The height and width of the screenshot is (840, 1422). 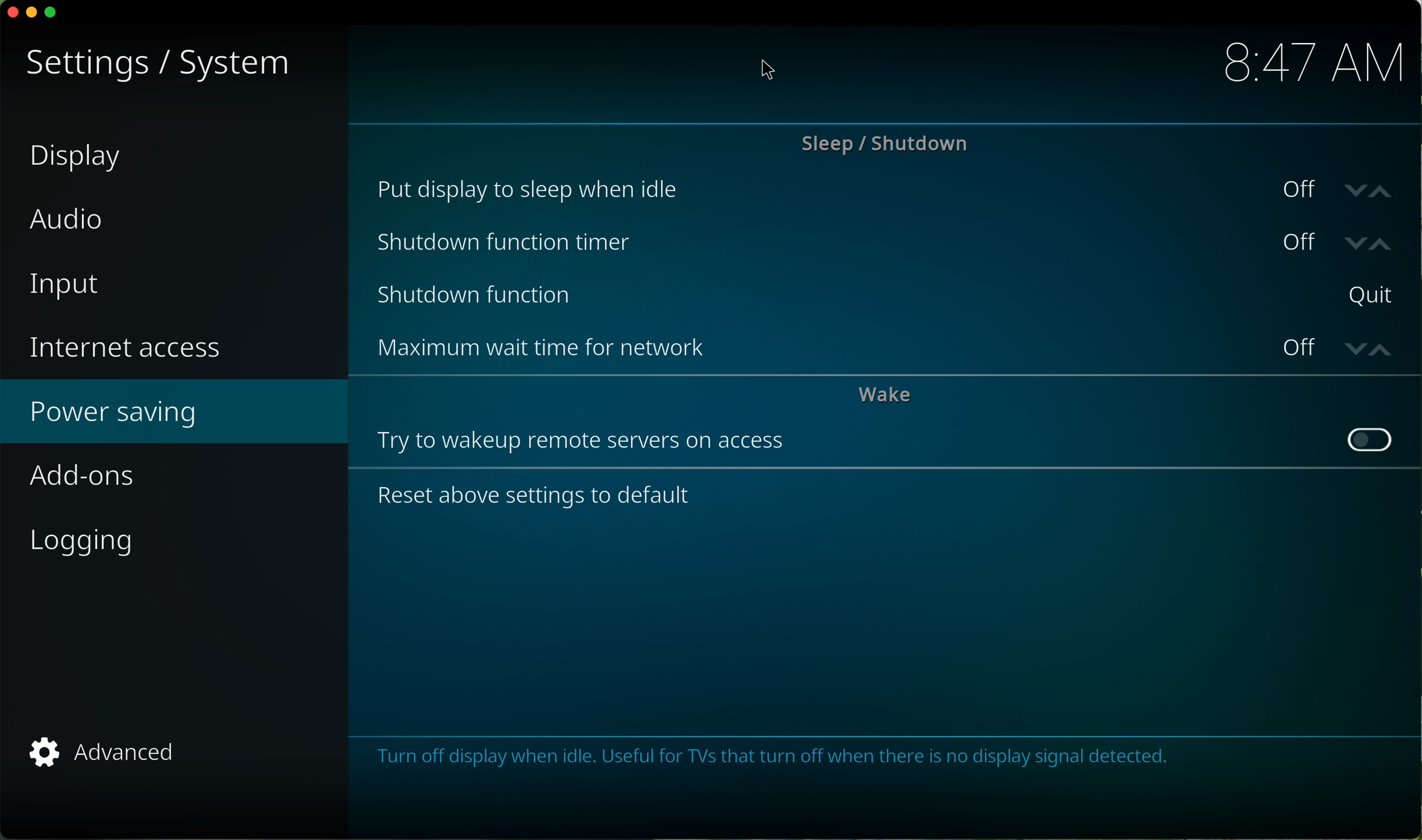 What do you see at coordinates (1365, 349) in the screenshot?
I see `arrows` at bounding box center [1365, 349].